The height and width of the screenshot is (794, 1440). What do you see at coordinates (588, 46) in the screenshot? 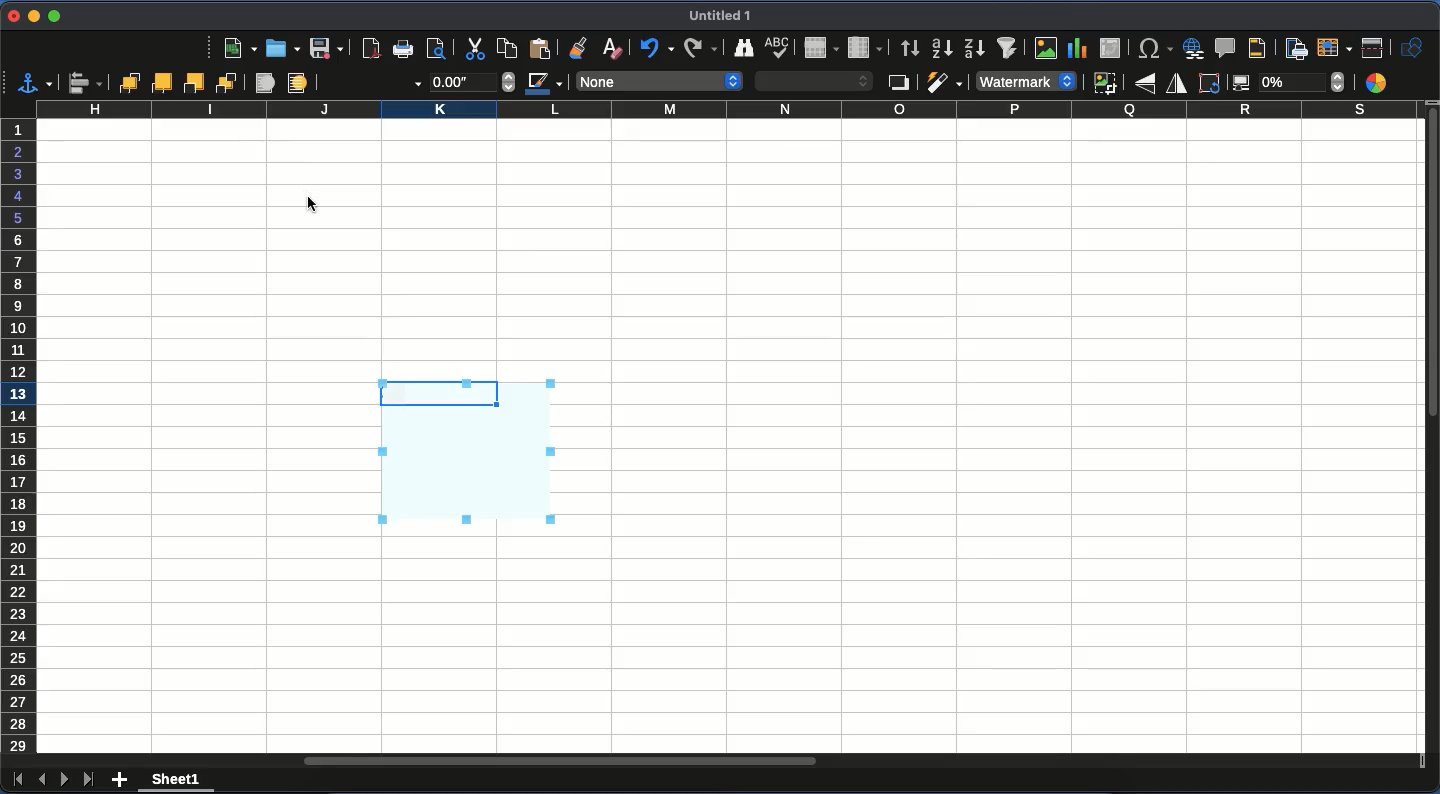
I see `clone formatting` at bounding box center [588, 46].